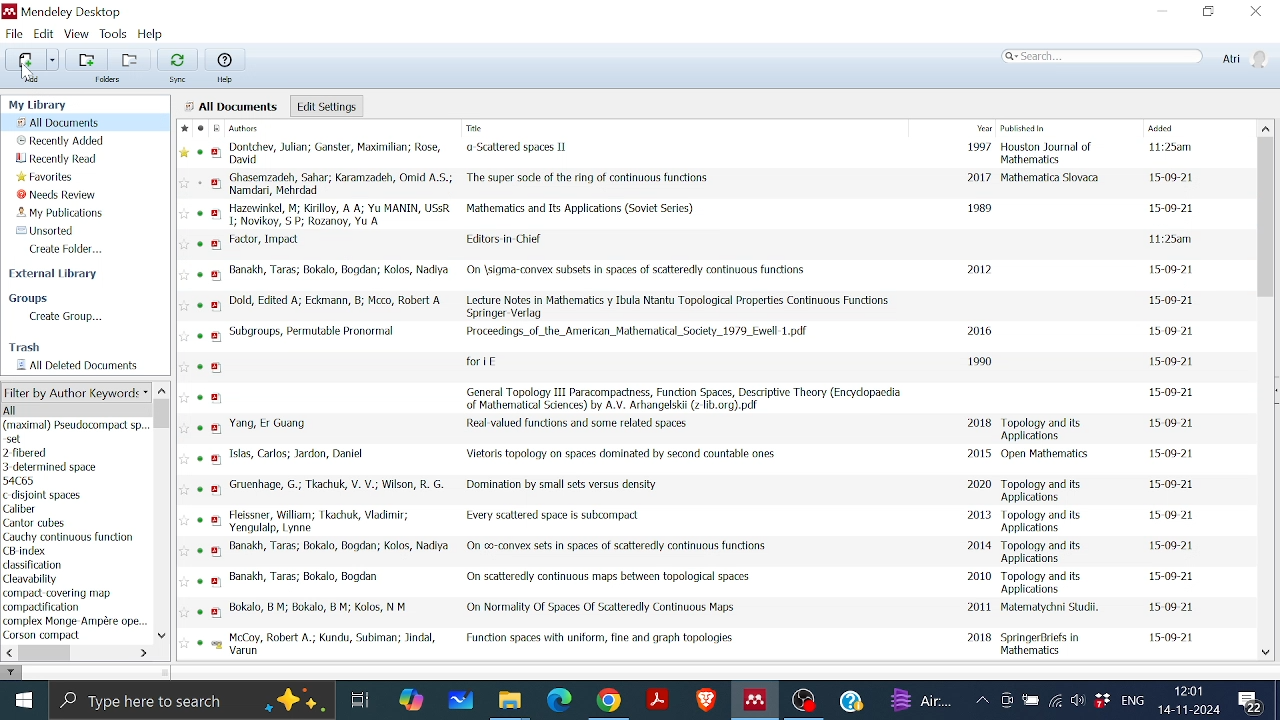  Describe the element at coordinates (1132, 699) in the screenshot. I see `Language` at that location.